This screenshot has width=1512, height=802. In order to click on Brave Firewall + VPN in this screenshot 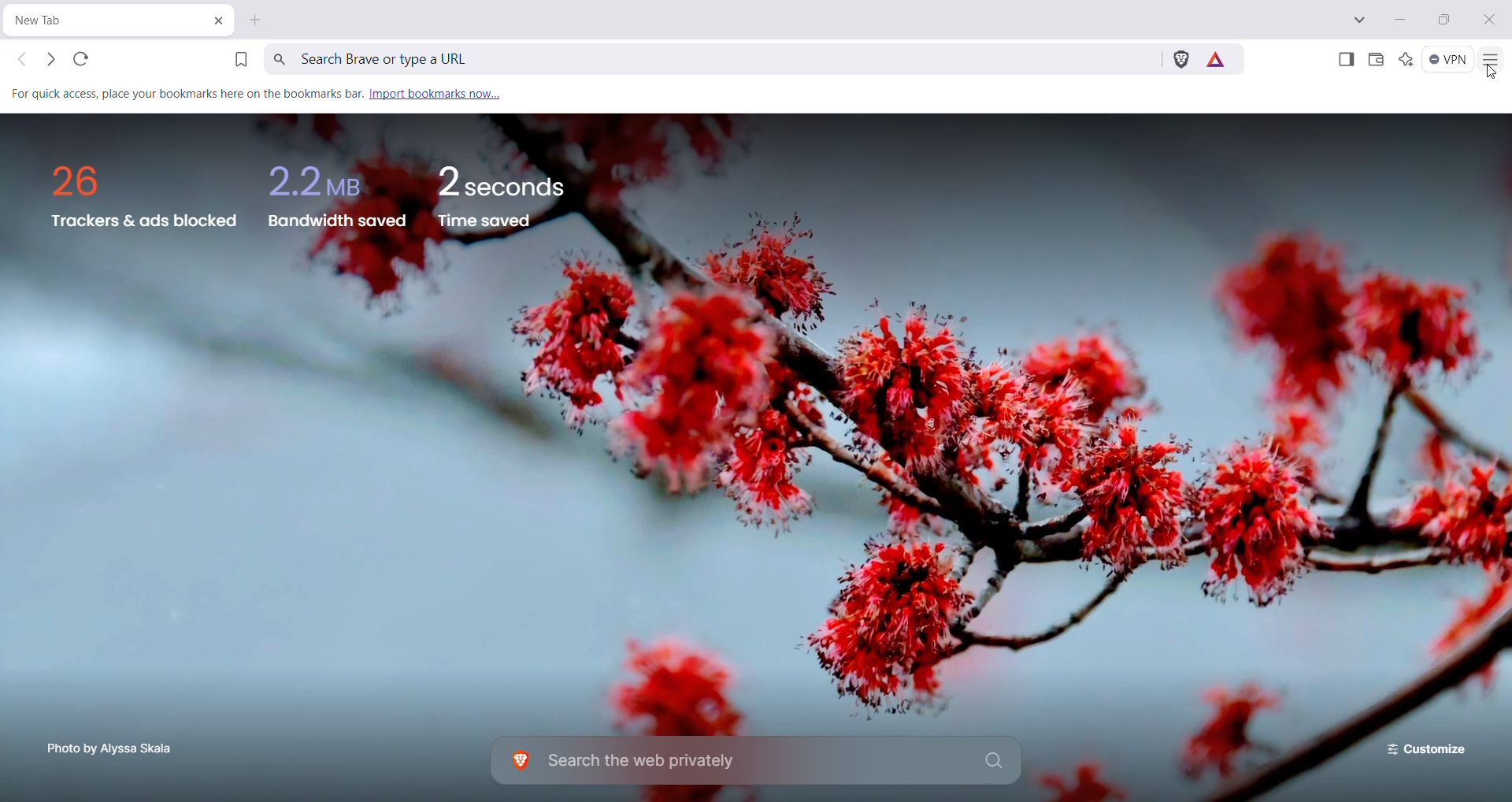, I will do `click(1449, 59)`.